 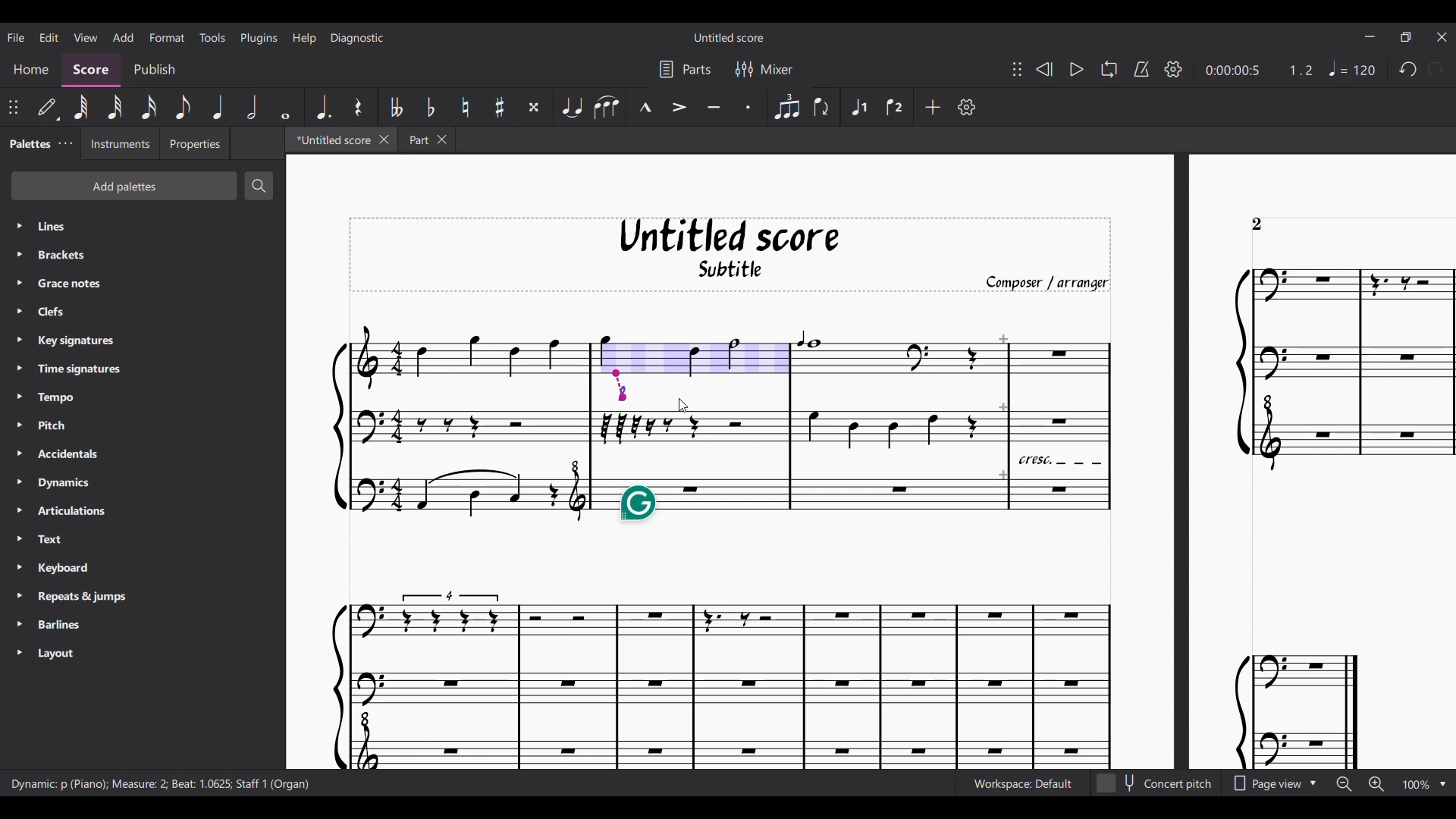 I want to click on Quarter note, so click(x=219, y=107).